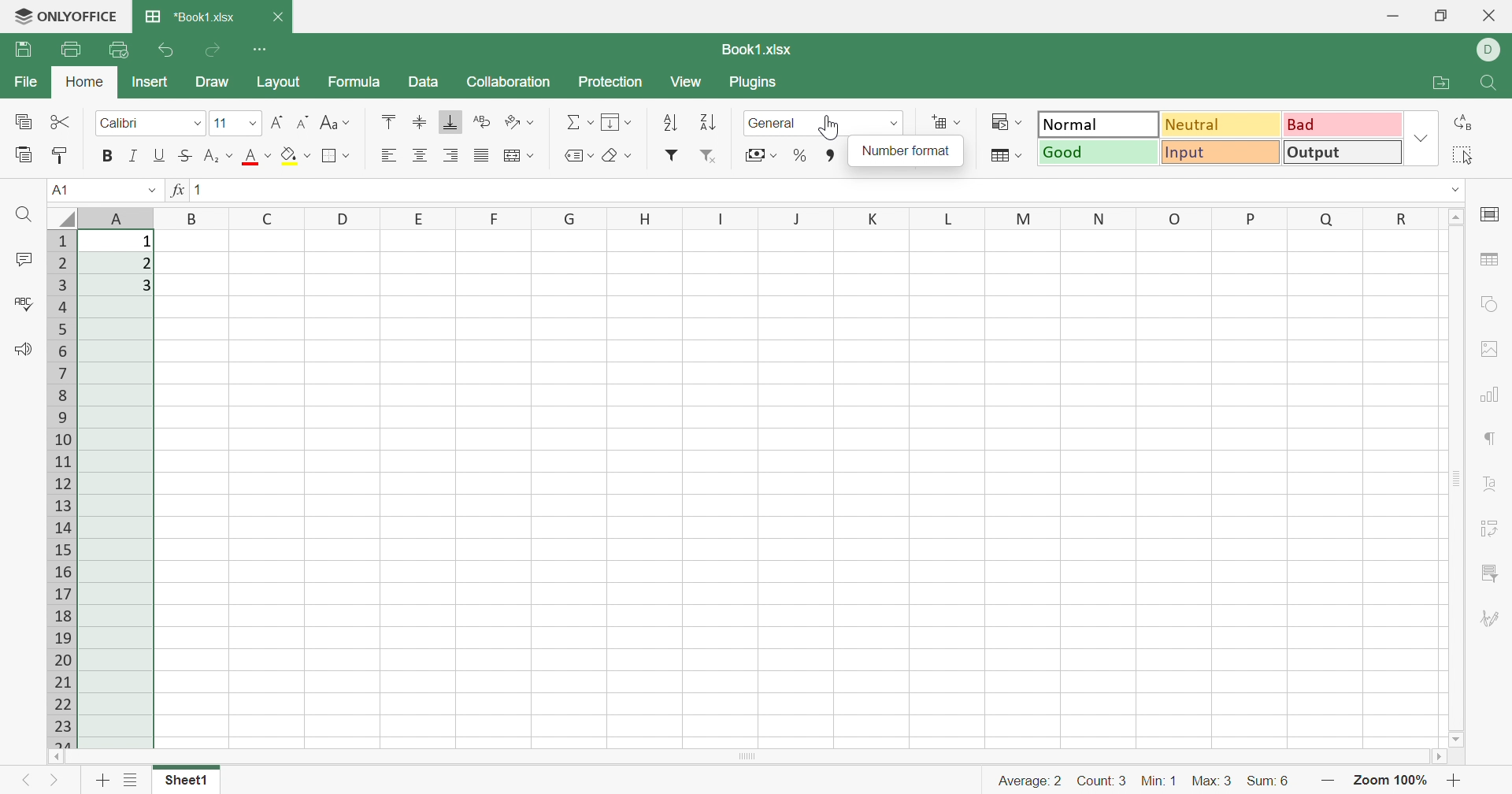 The image size is (1512, 794). Describe the element at coordinates (1491, 530) in the screenshot. I see `Pivot table settings` at that location.